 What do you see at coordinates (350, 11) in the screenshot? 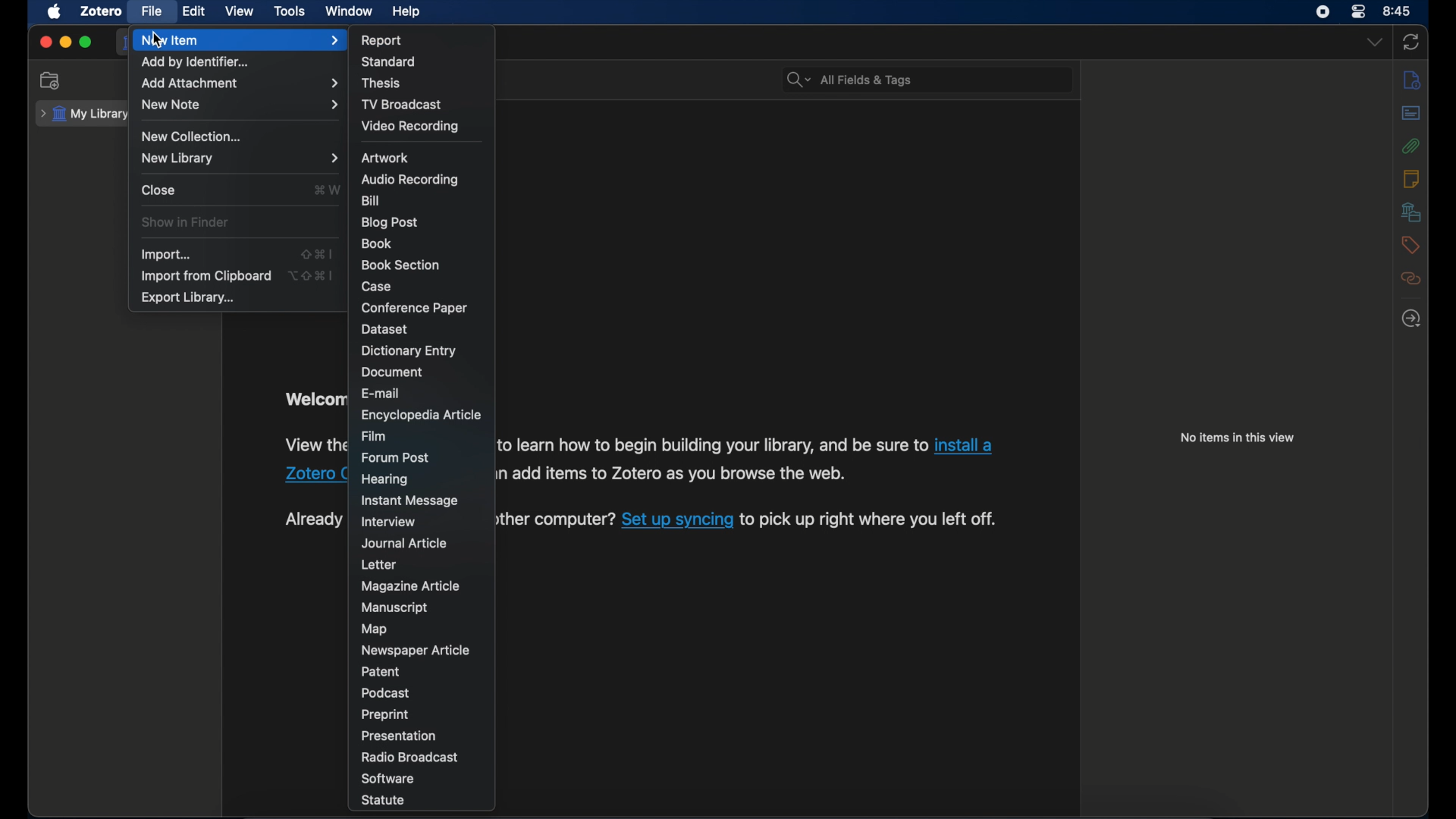
I see `window` at bounding box center [350, 11].